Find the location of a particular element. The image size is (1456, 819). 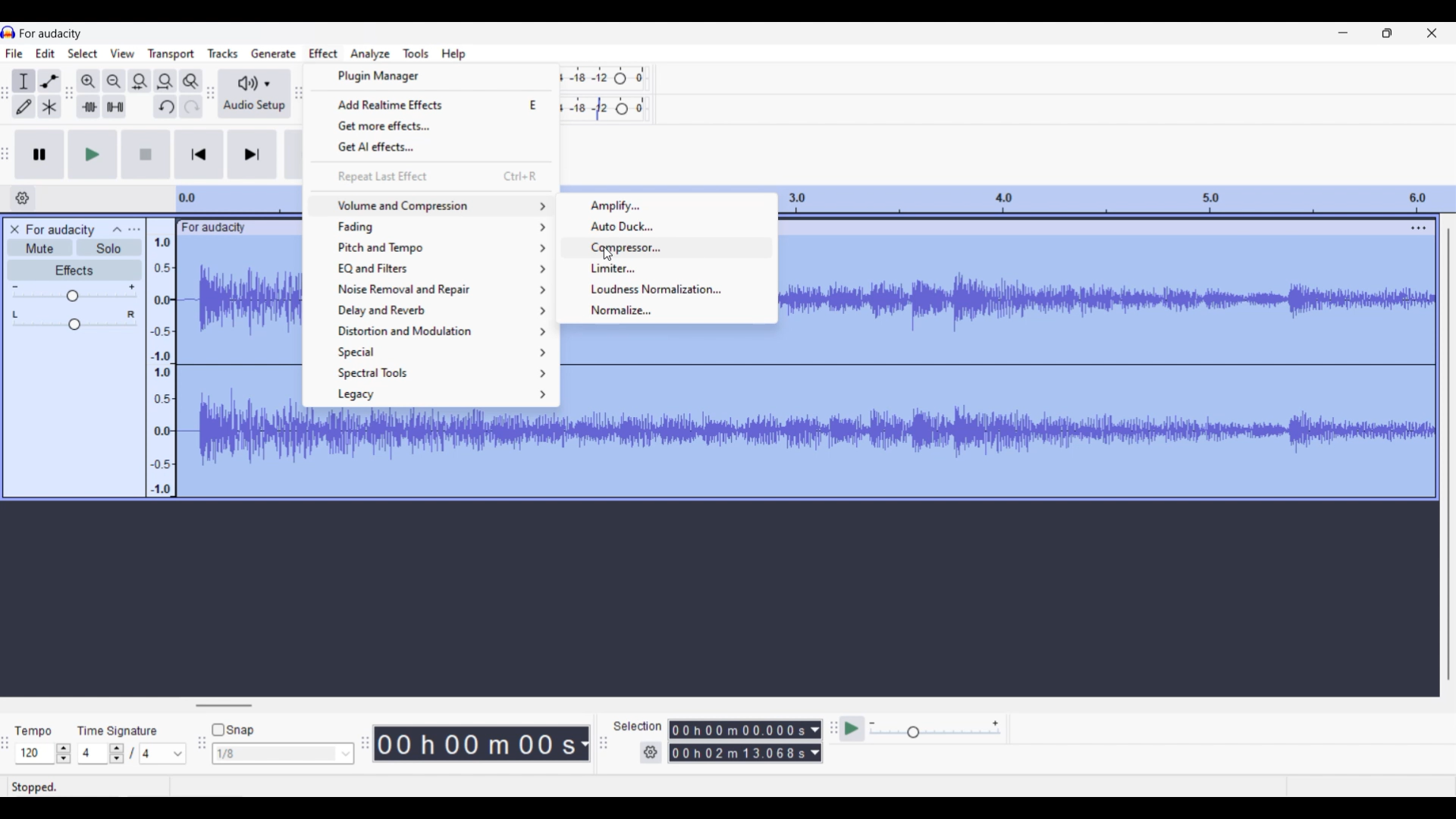

Fading is located at coordinates (430, 227).